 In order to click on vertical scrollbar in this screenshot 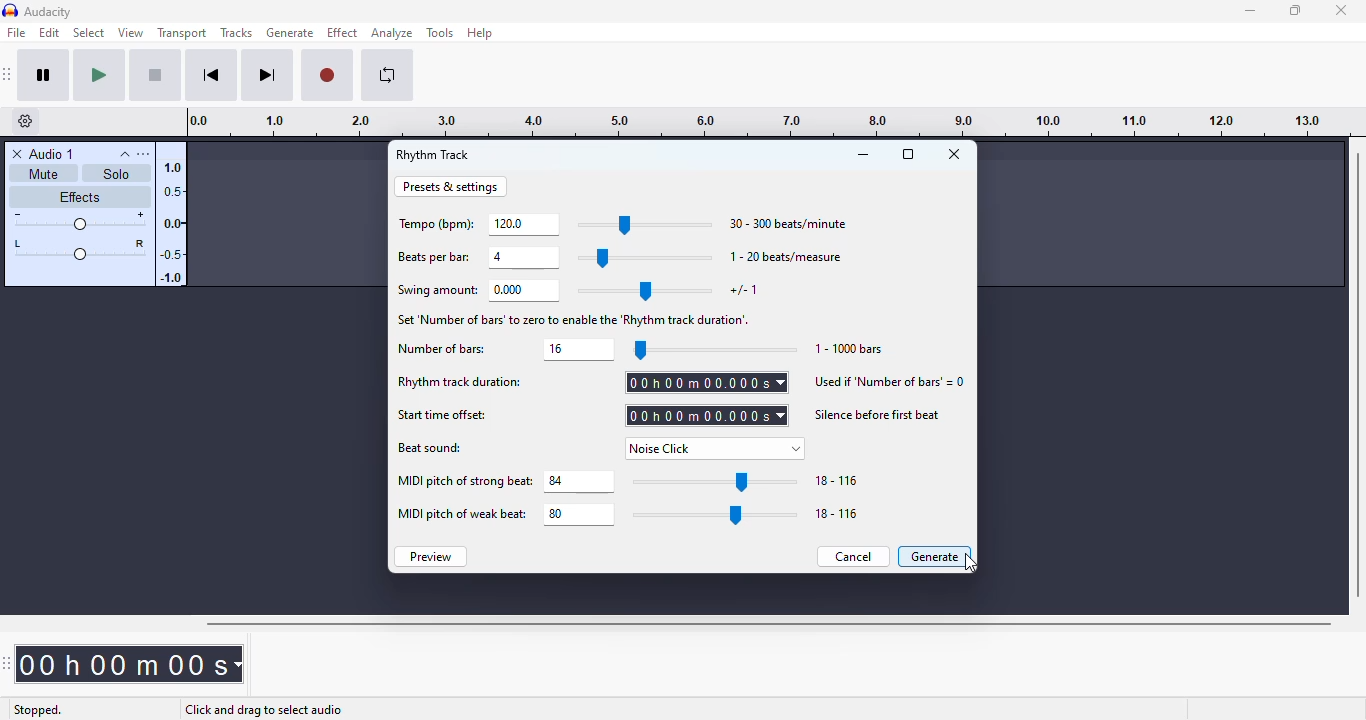, I will do `click(1358, 373)`.